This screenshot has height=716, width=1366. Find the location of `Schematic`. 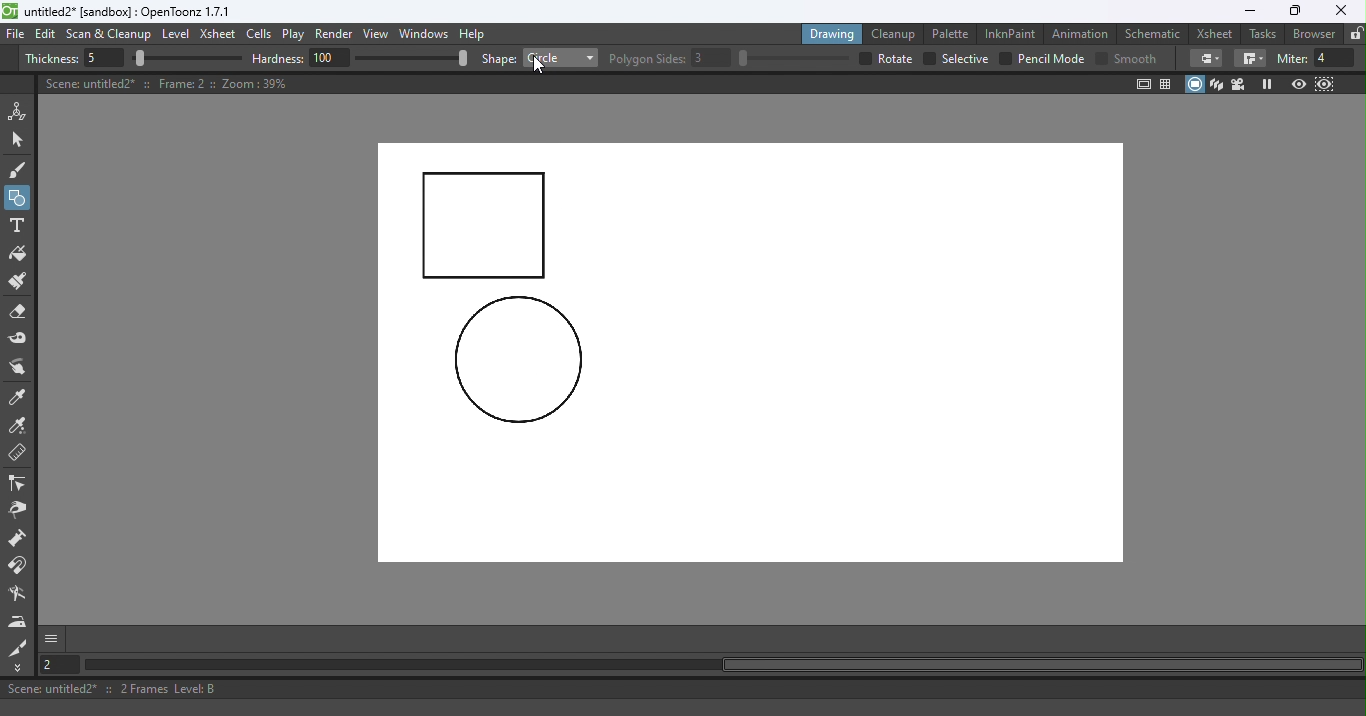

Schematic is located at coordinates (1153, 34).